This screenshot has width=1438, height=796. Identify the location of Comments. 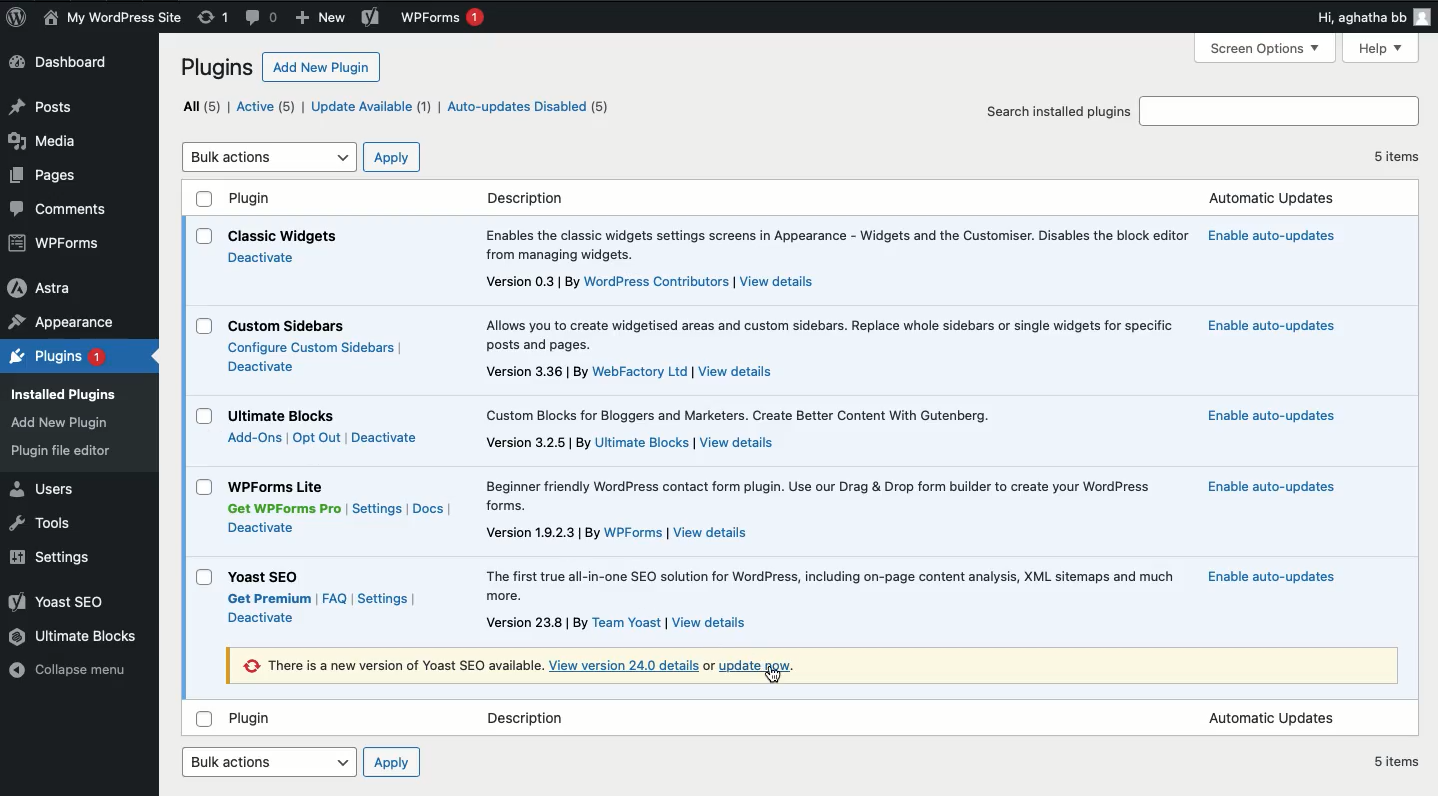
(68, 211).